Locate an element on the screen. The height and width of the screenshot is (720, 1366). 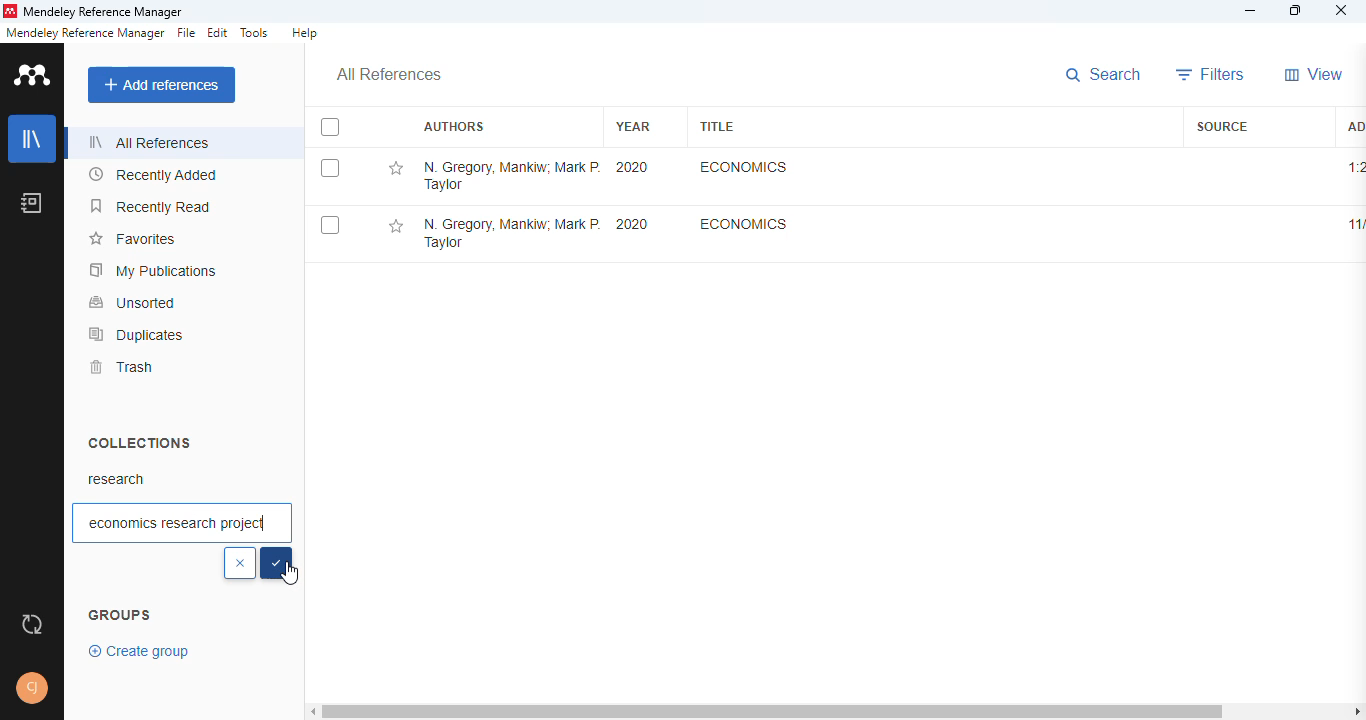
Economics is located at coordinates (744, 223).